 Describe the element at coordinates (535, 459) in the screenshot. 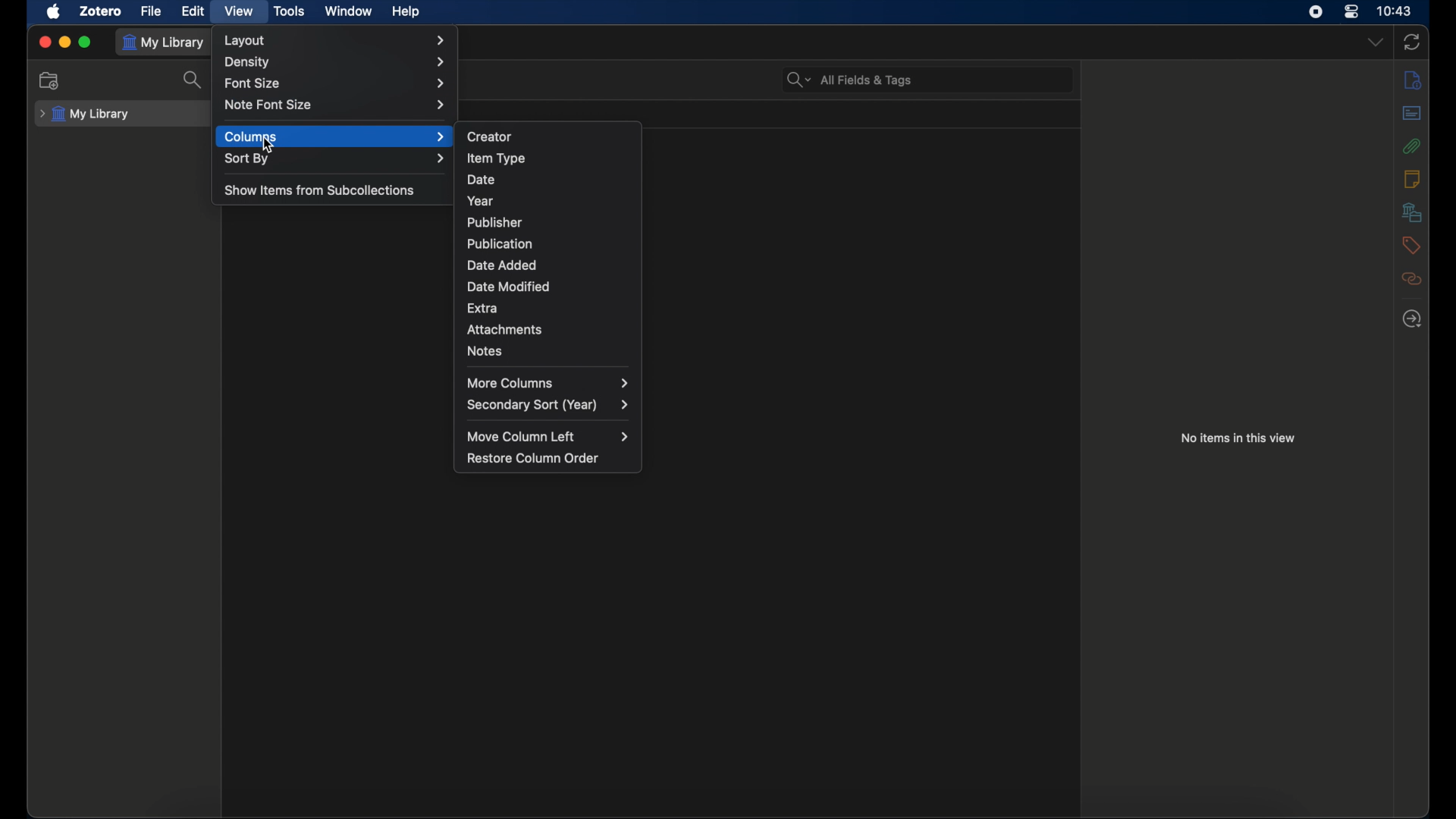

I see `restore column order` at that location.